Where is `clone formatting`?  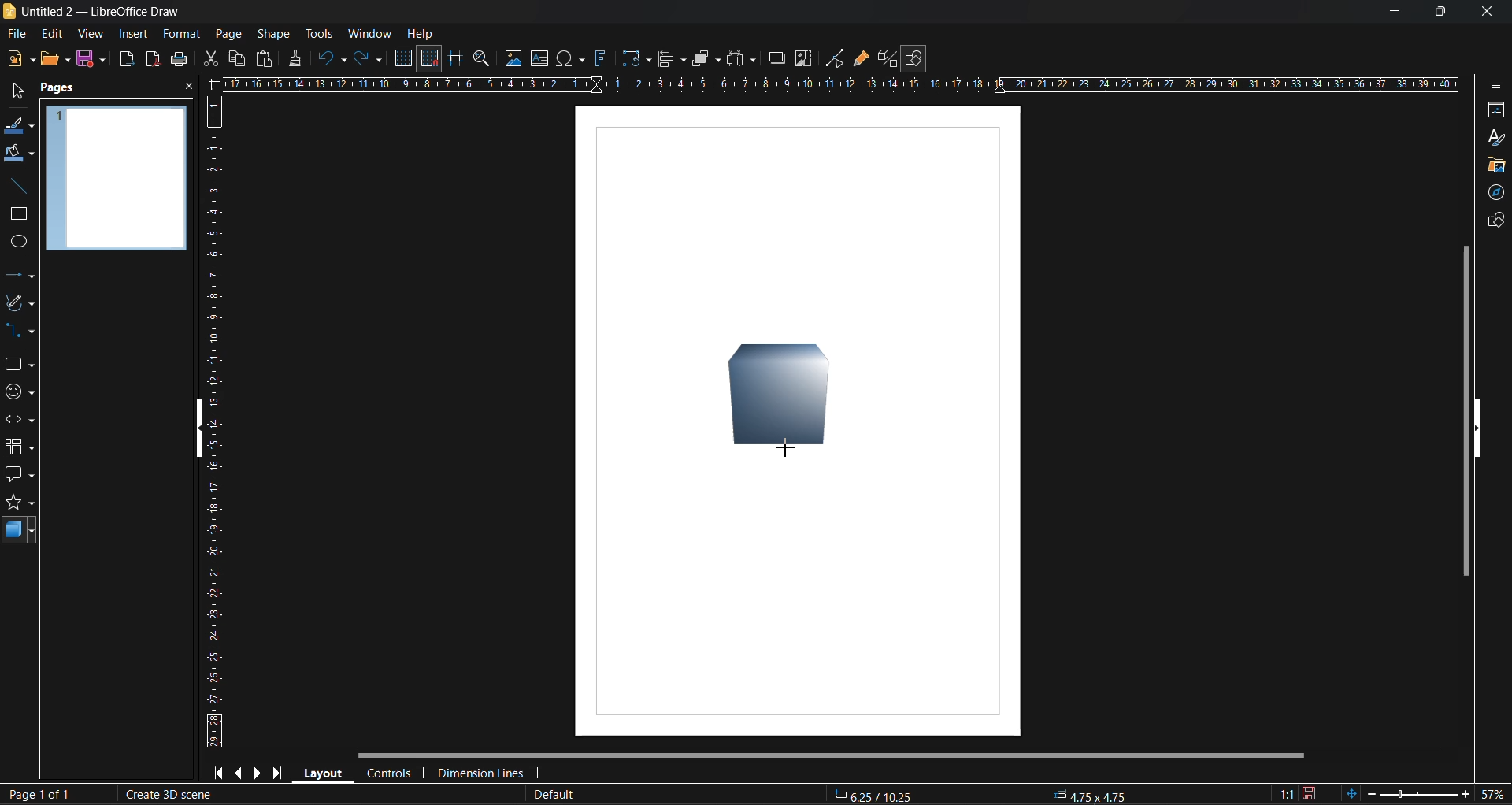
clone formatting is located at coordinates (296, 58).